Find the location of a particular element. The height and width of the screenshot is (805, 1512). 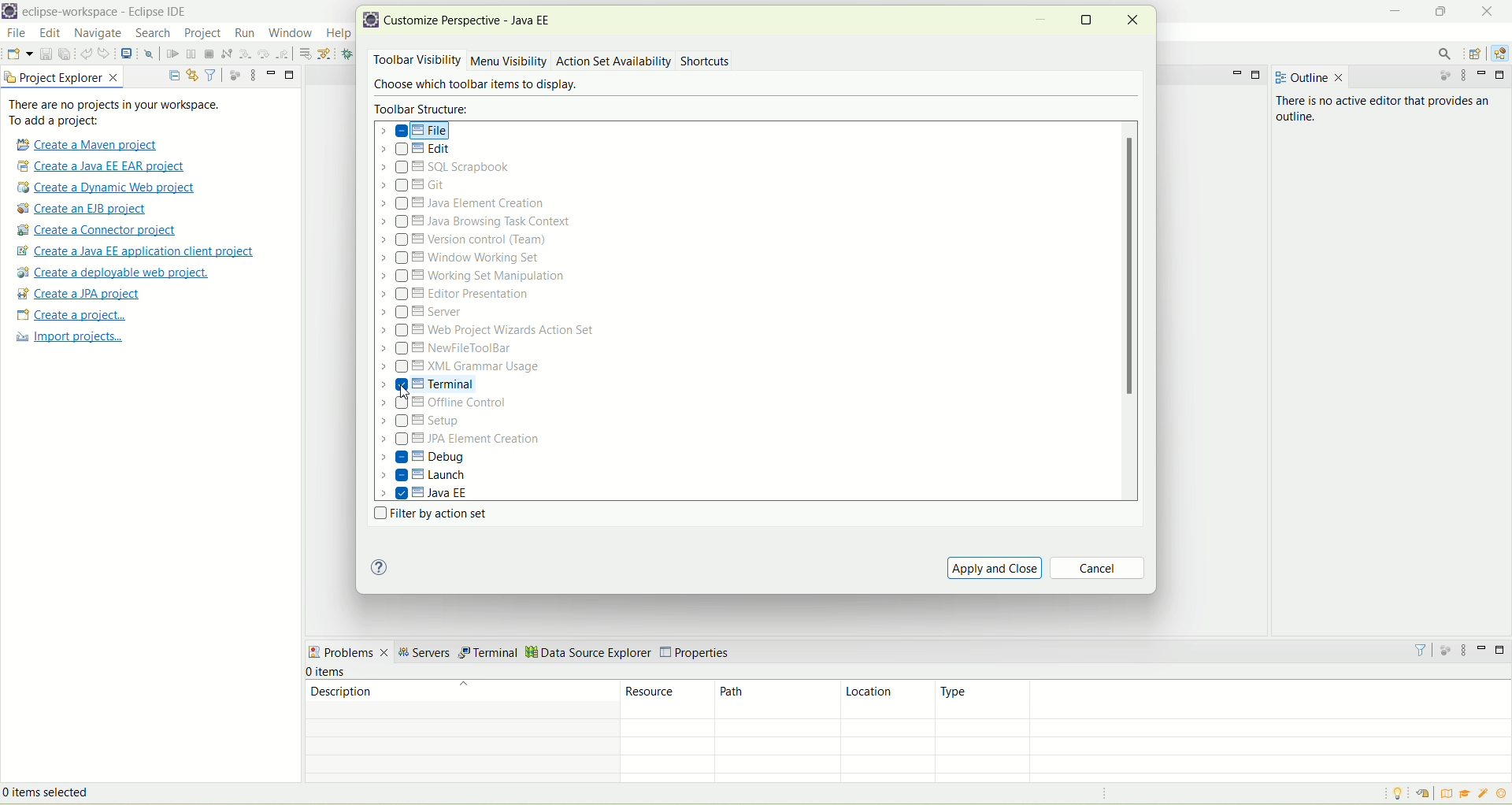

outline is located at coordinates (1306, 75).